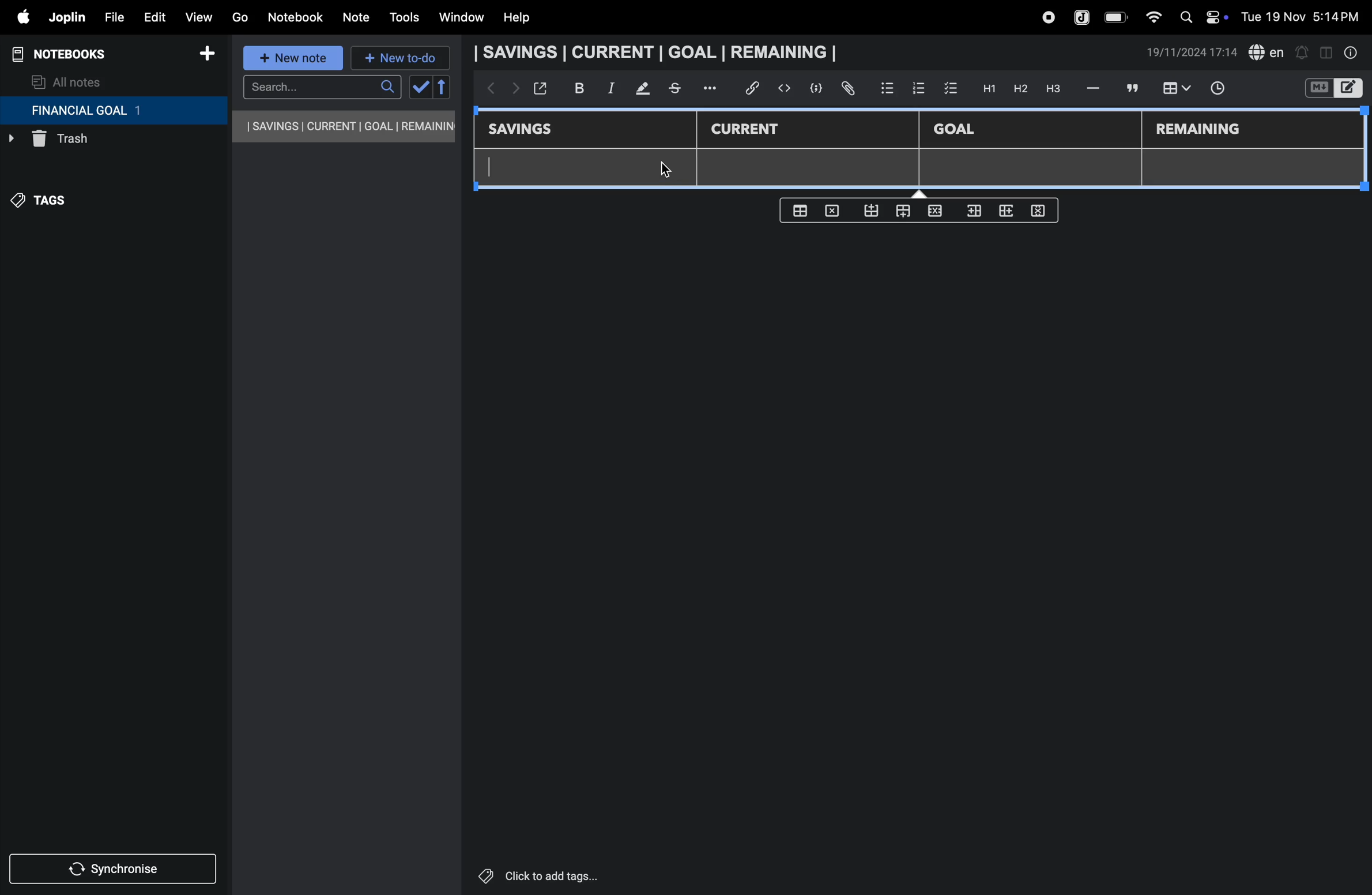 This screenshot has width=1372, height=895. I want to click on current, so click(753, 130).